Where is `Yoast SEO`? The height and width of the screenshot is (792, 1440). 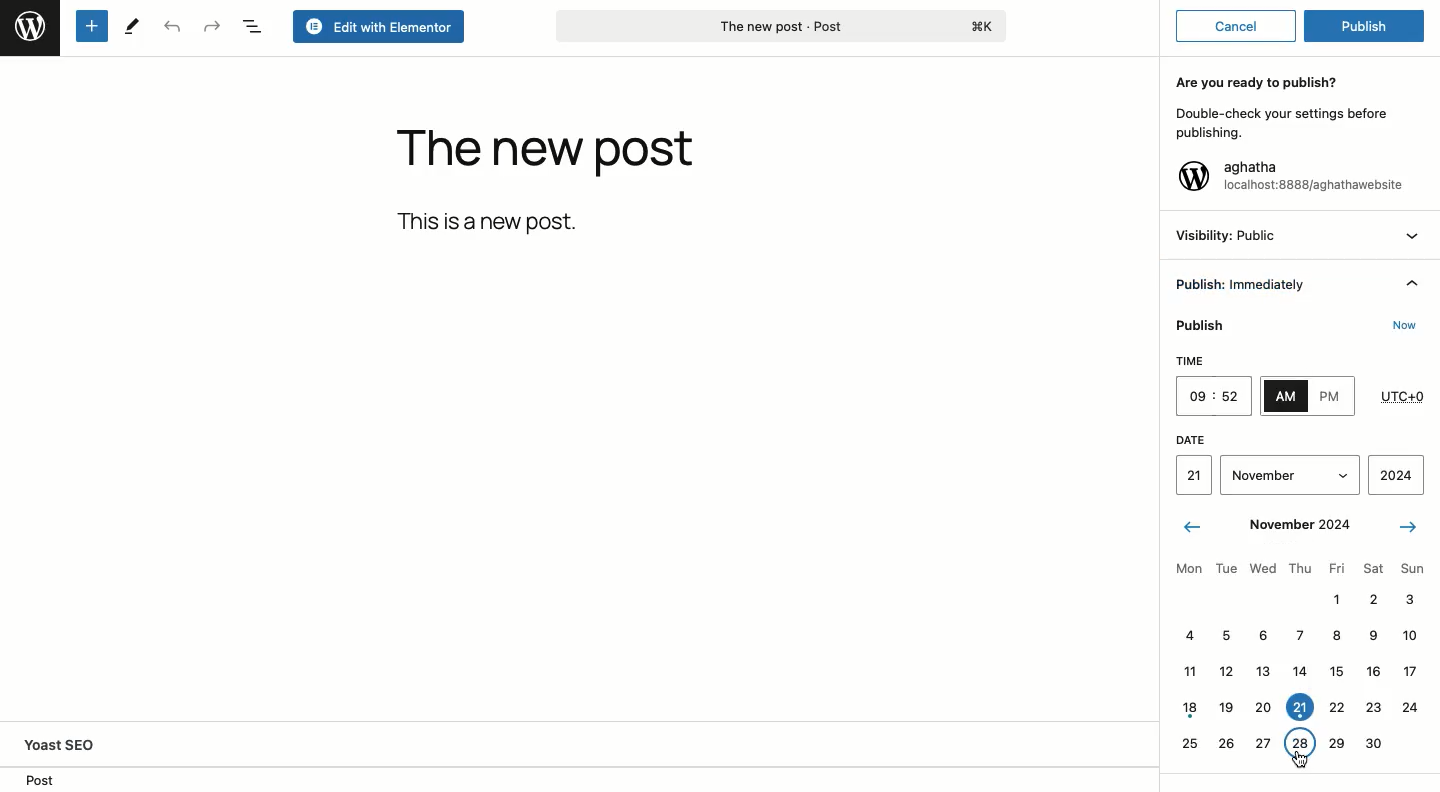
Yoast SEO is located at coordinates (86, 744).